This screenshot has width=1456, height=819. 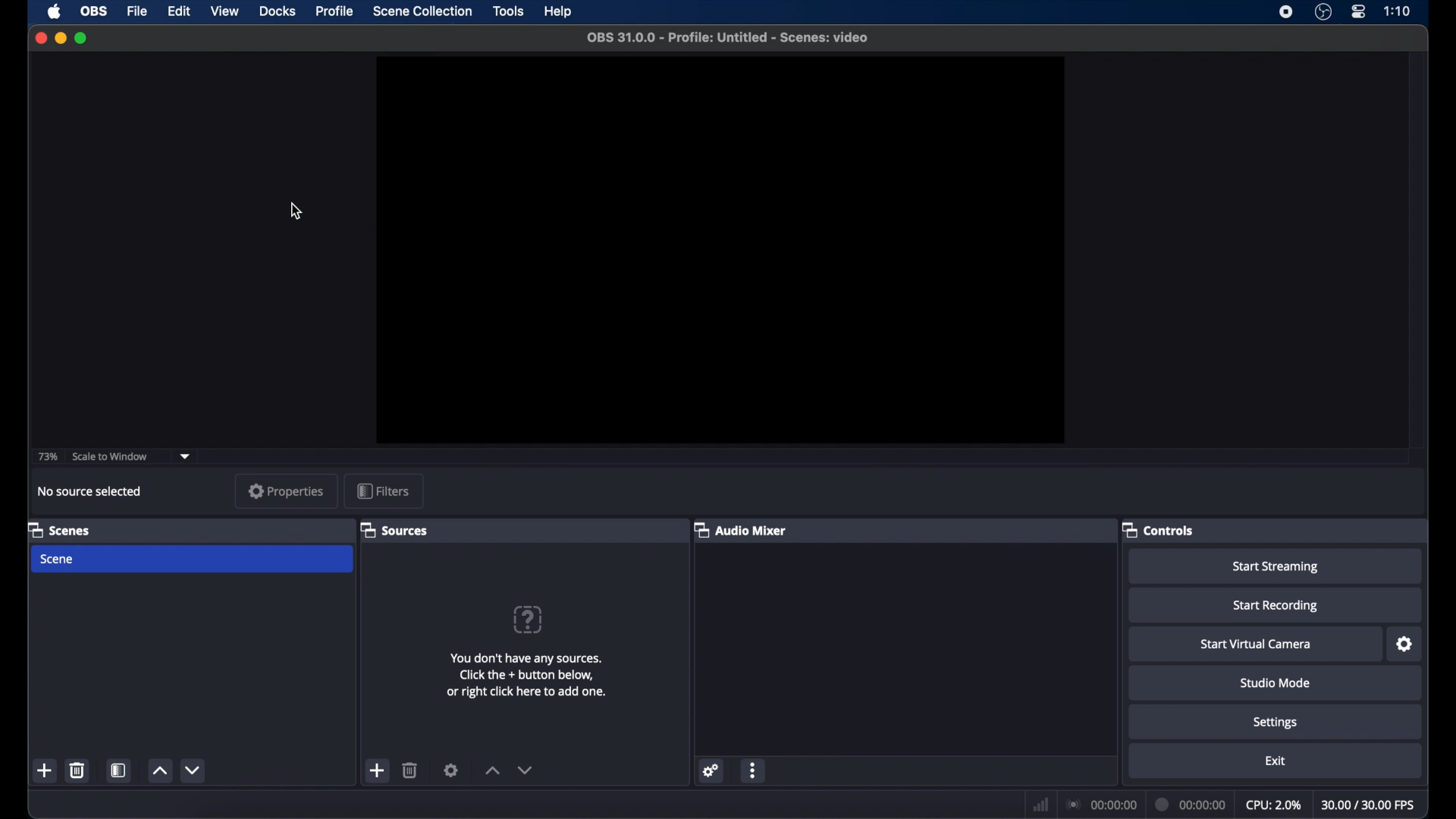 I want to click on filters, so click(x=385, y=491).